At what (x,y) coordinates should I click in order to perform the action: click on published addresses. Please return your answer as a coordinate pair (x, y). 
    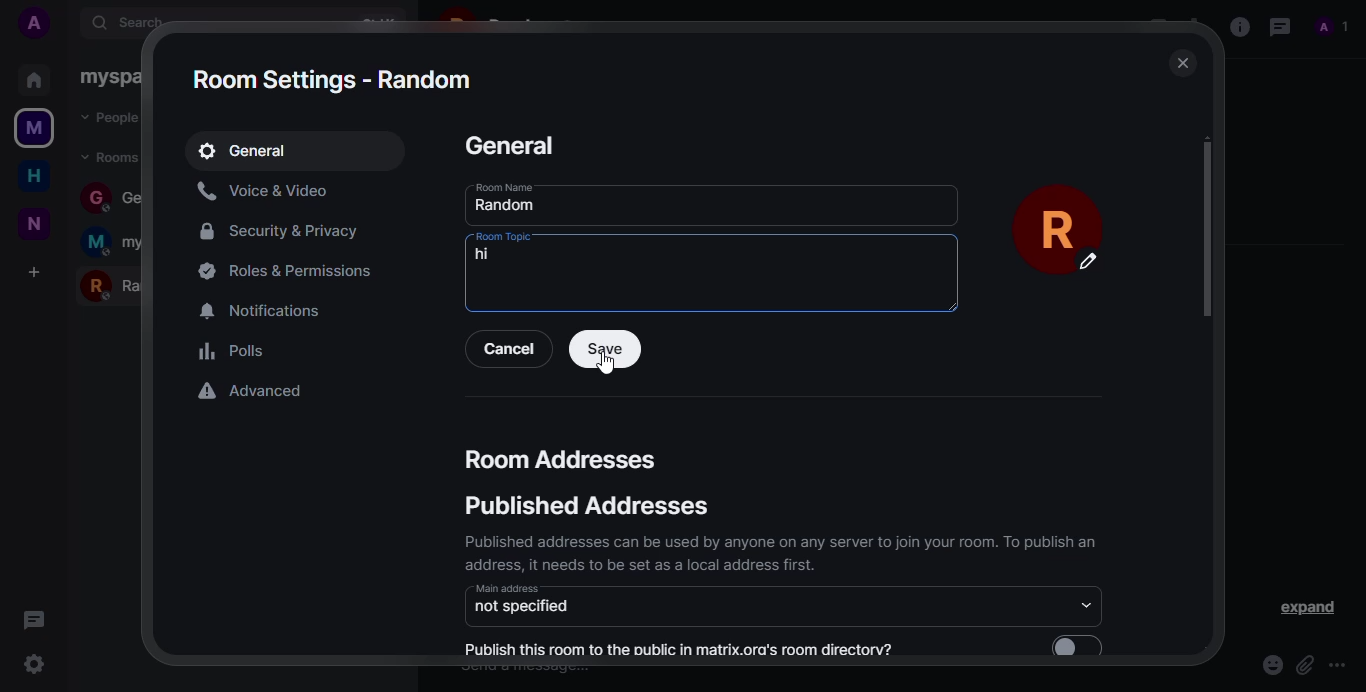
    Looking at the image, I should click on (589, 506).